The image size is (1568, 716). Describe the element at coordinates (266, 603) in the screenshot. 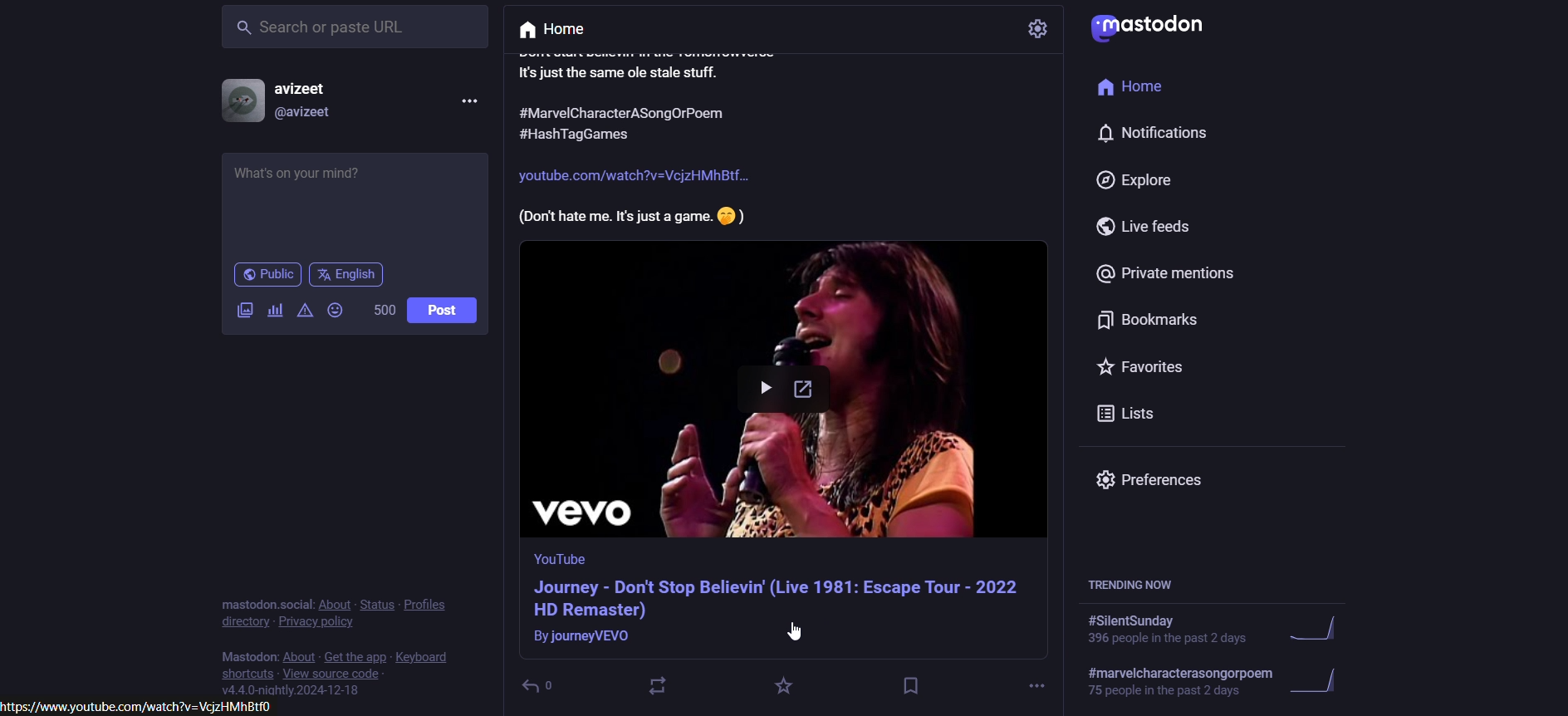

I see `text` at that location.